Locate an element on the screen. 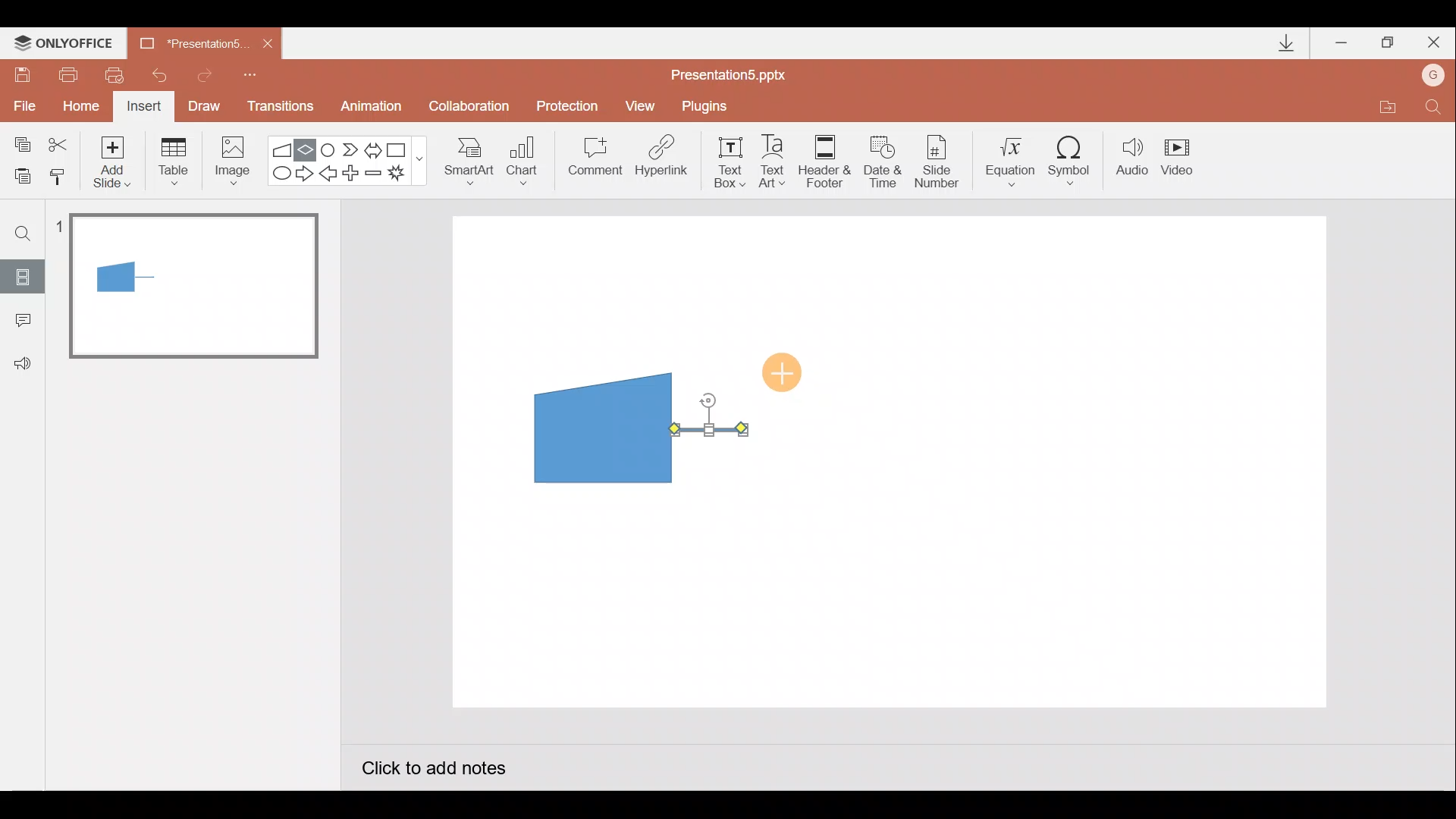 The width and height of the screenshot is (1456, 819). Find is located at coordinates (1433, 111).